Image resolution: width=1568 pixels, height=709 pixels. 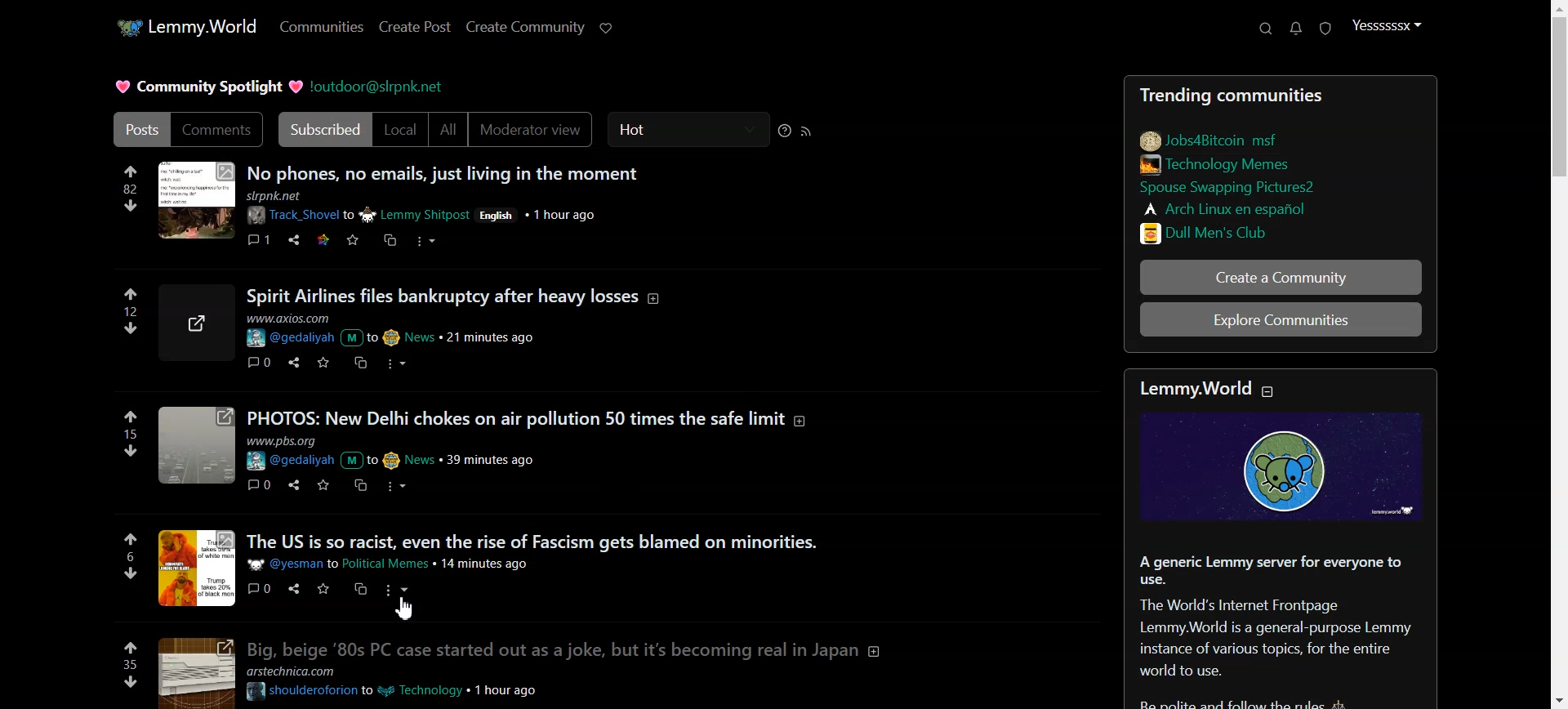 What do you see at coordinates (193, 672) in the screenshot?
I see `image` at bounding box center [193, 672].